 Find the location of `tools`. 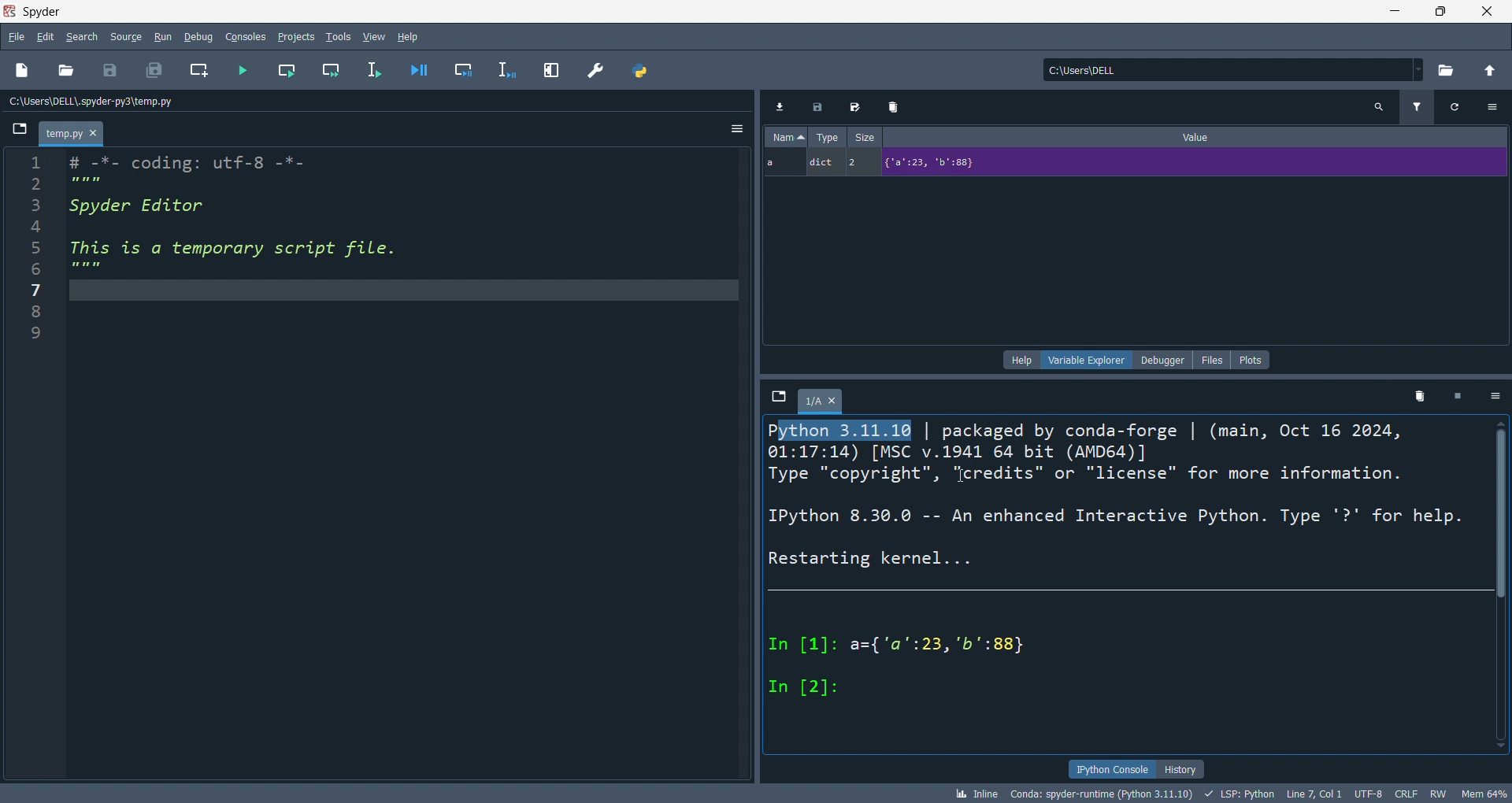

tools is located at coordinates (339, 35).